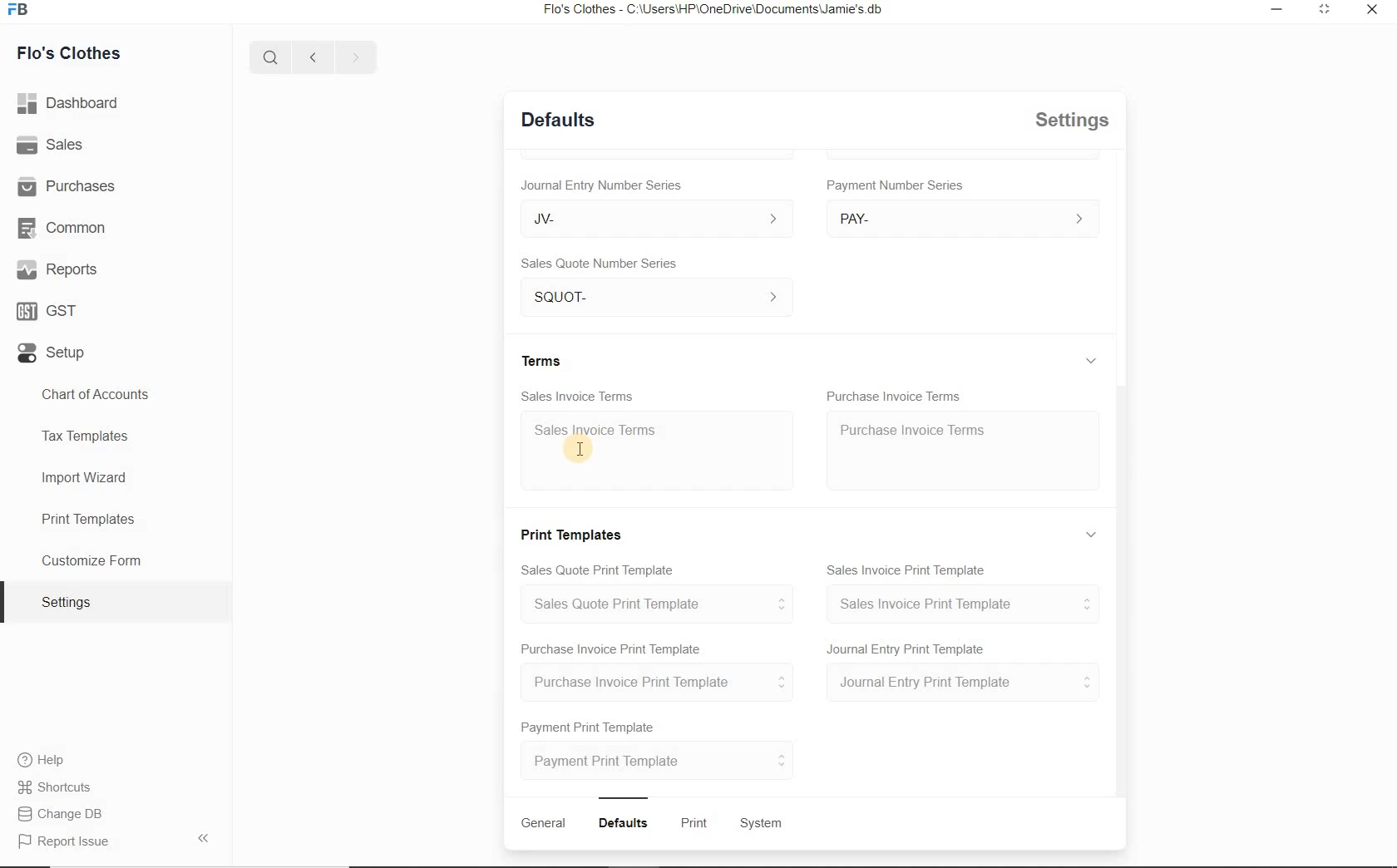 This screenshot has width=1397, height=868. What do you see at coordinates (895, 392) in the screenshot?
I see `Purchase Invoice Terms` at bounding box center [895, 392].